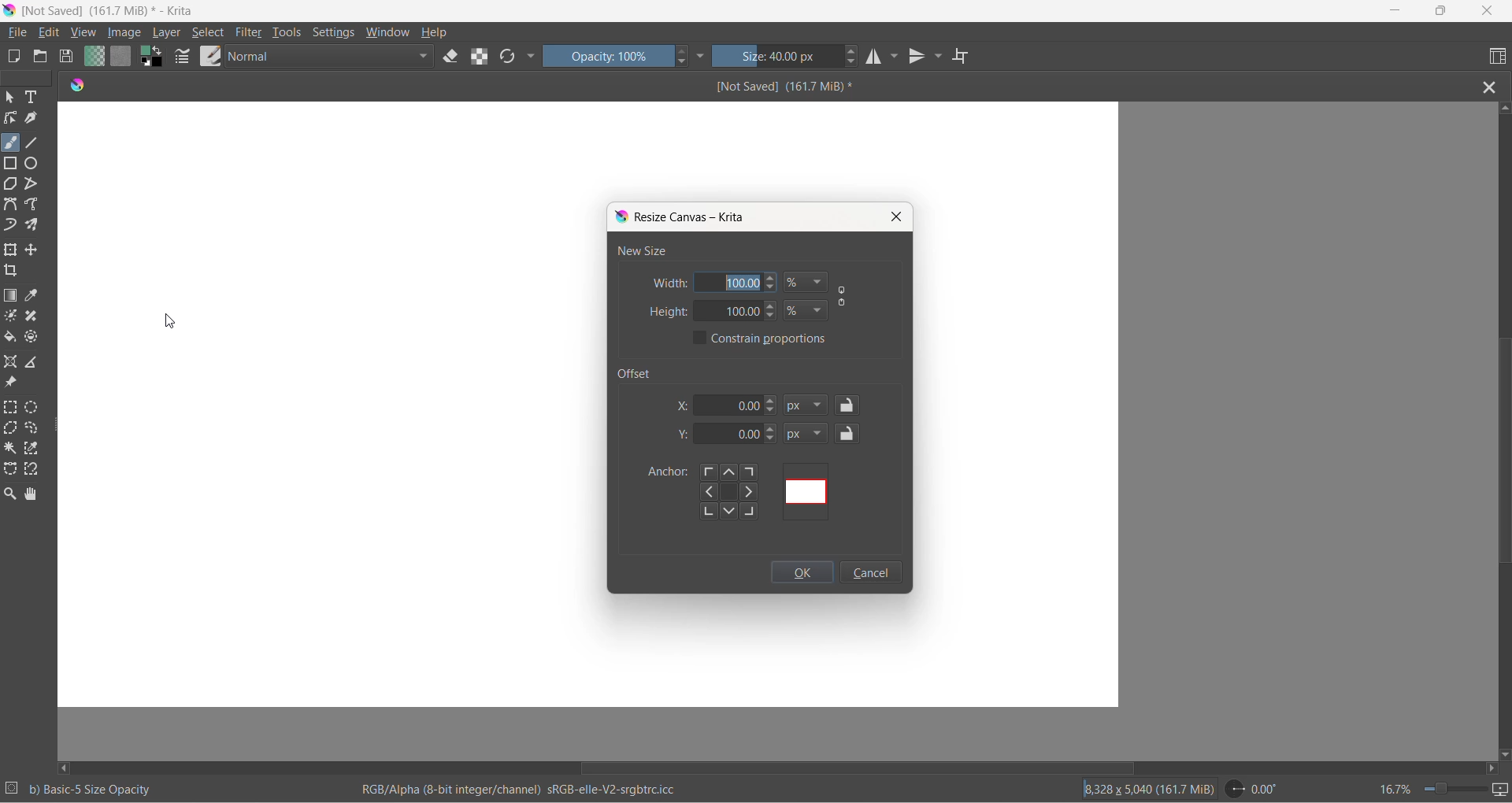 This screenshot has width=1512, height=803. I want to click on brush tool, so click(12, 142).